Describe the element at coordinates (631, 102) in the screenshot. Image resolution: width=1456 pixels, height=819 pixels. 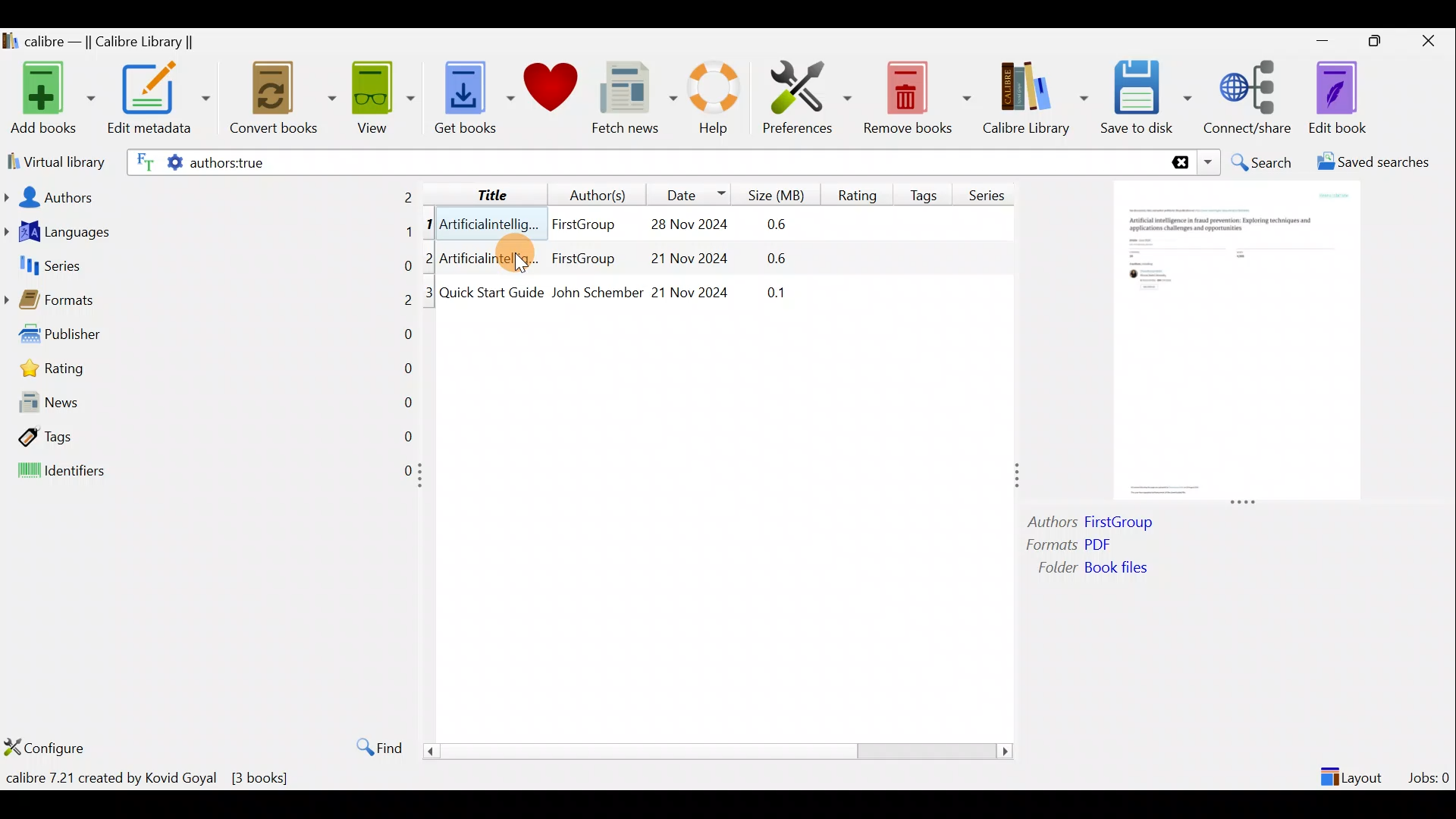
I see `Fetch news` at that location.